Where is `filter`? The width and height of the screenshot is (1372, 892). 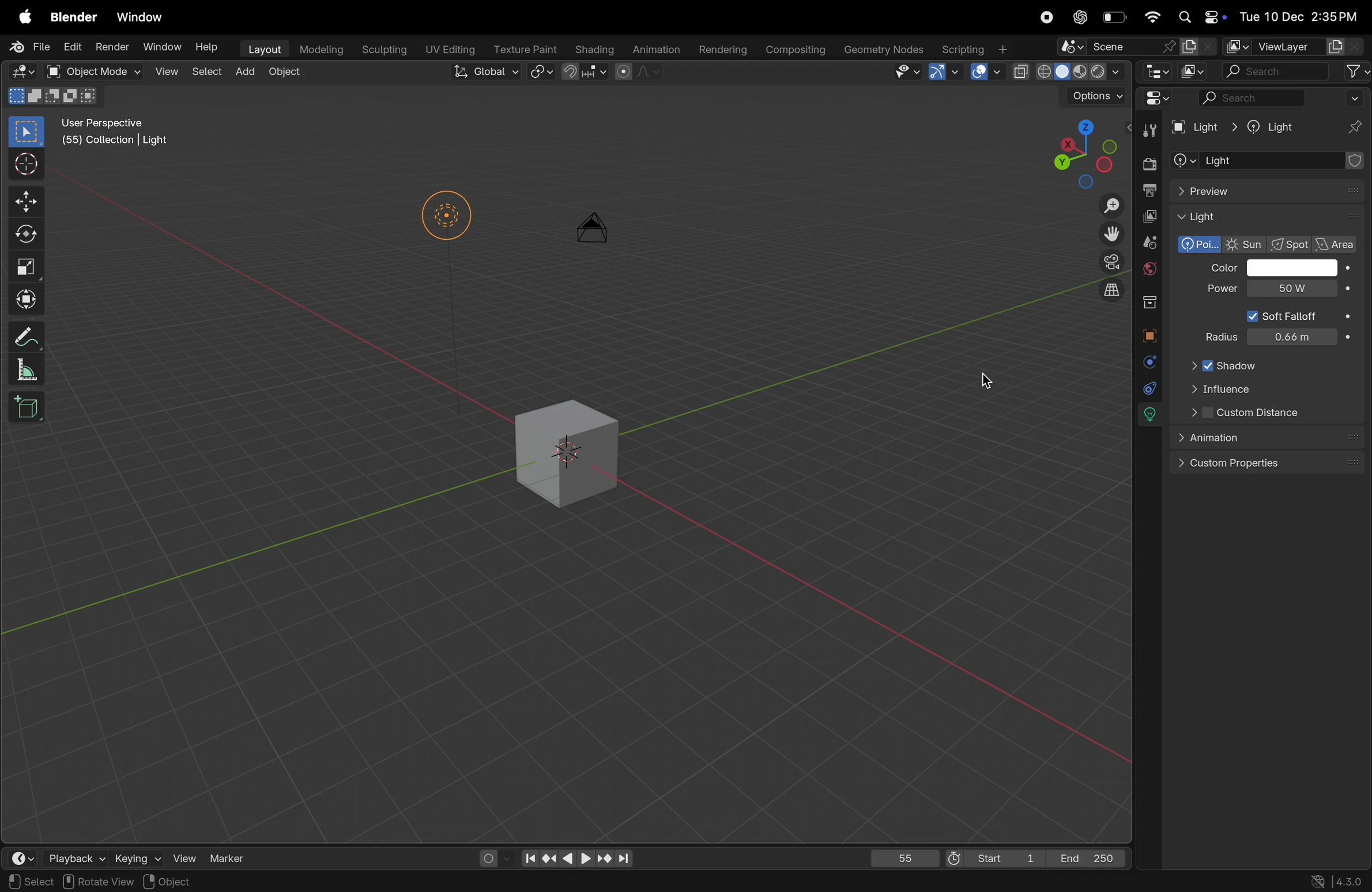
filter is located at coordinates (1356, 71).